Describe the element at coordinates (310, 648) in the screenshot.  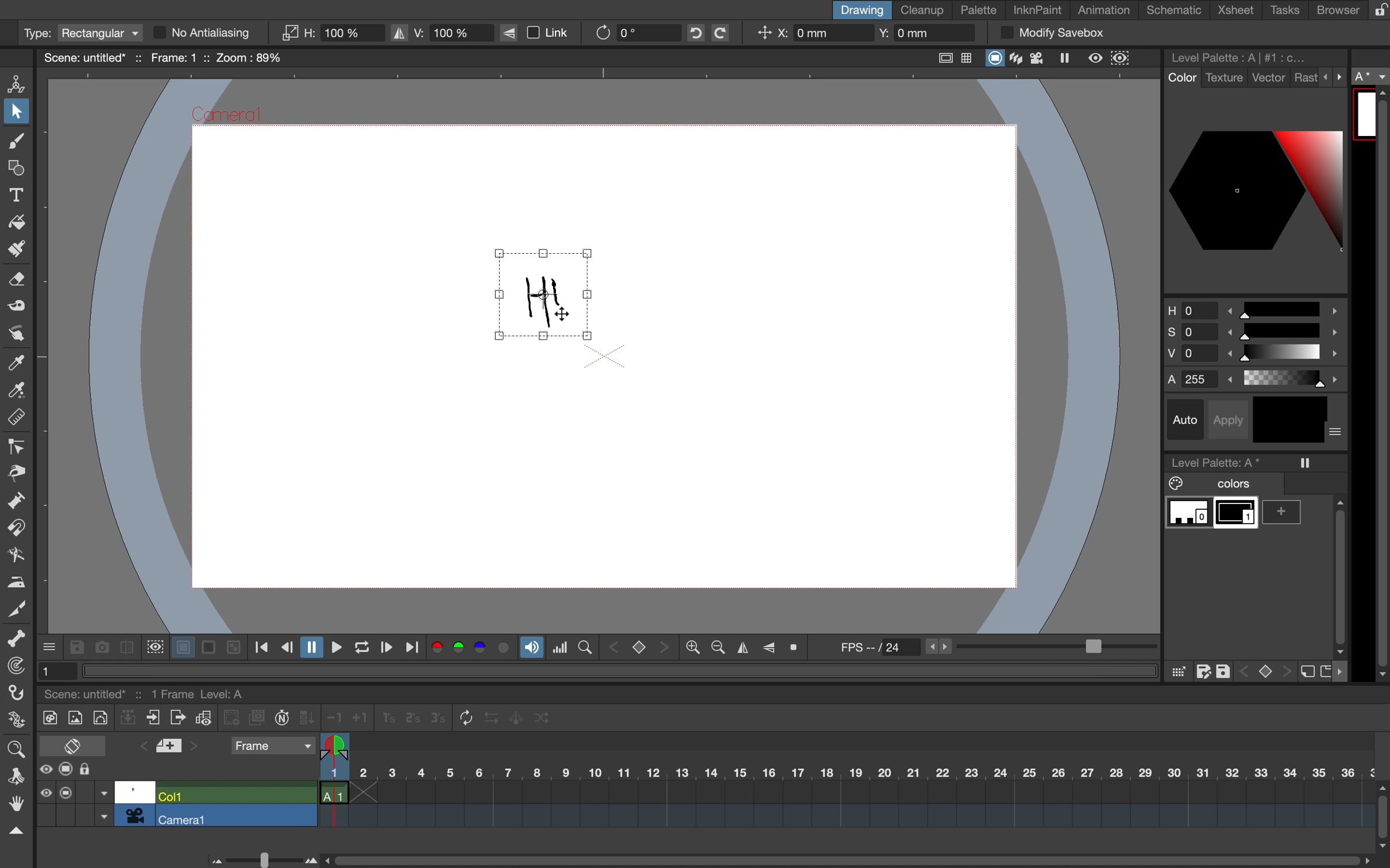
I see `pause` at that location.